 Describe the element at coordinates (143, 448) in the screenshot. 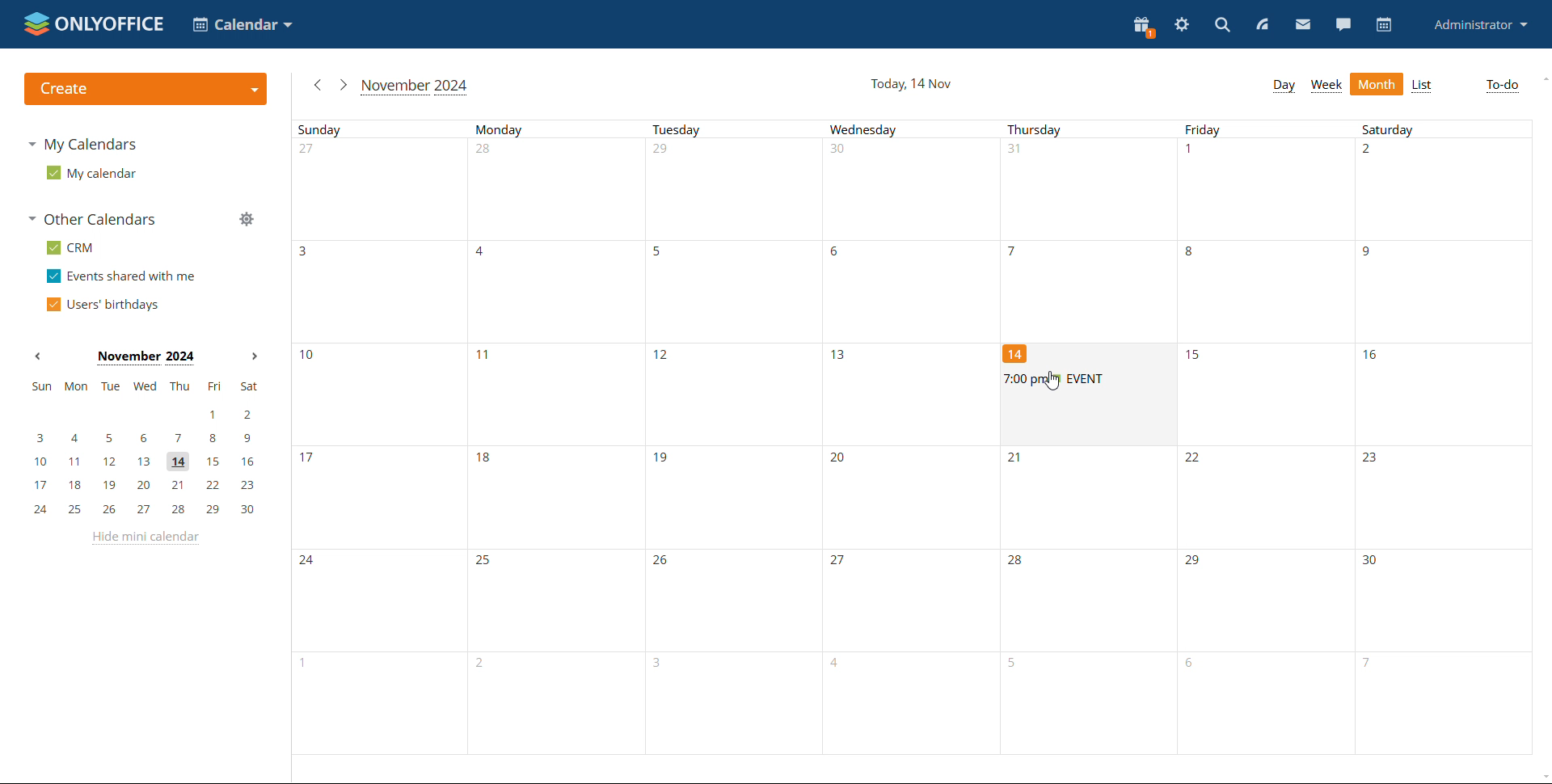

I see `mini calendar` at that location.